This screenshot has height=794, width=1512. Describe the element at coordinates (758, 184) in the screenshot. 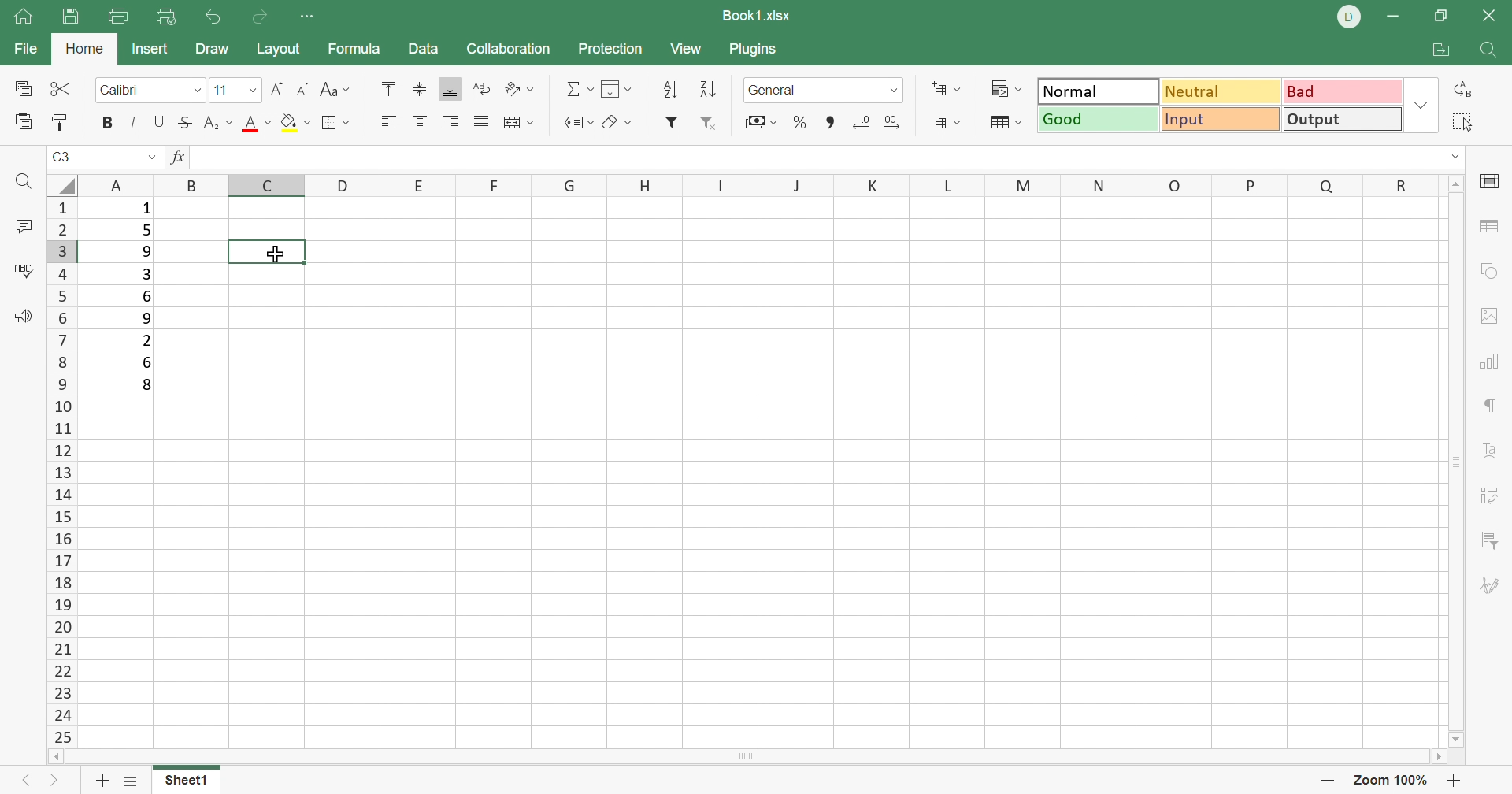

I see `Column names` at that location.